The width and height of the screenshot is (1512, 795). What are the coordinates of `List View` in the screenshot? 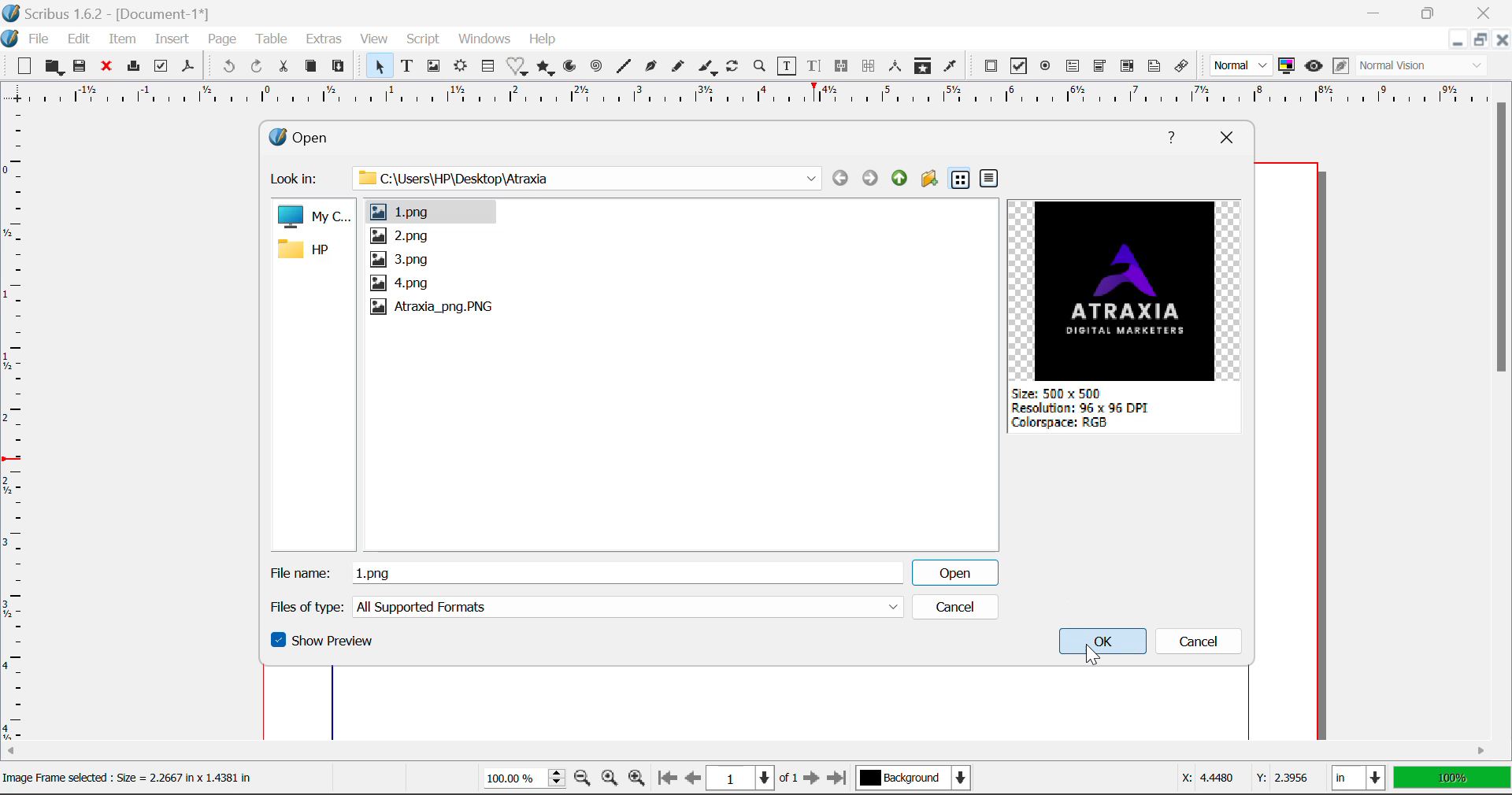 It's located at (960, 180).